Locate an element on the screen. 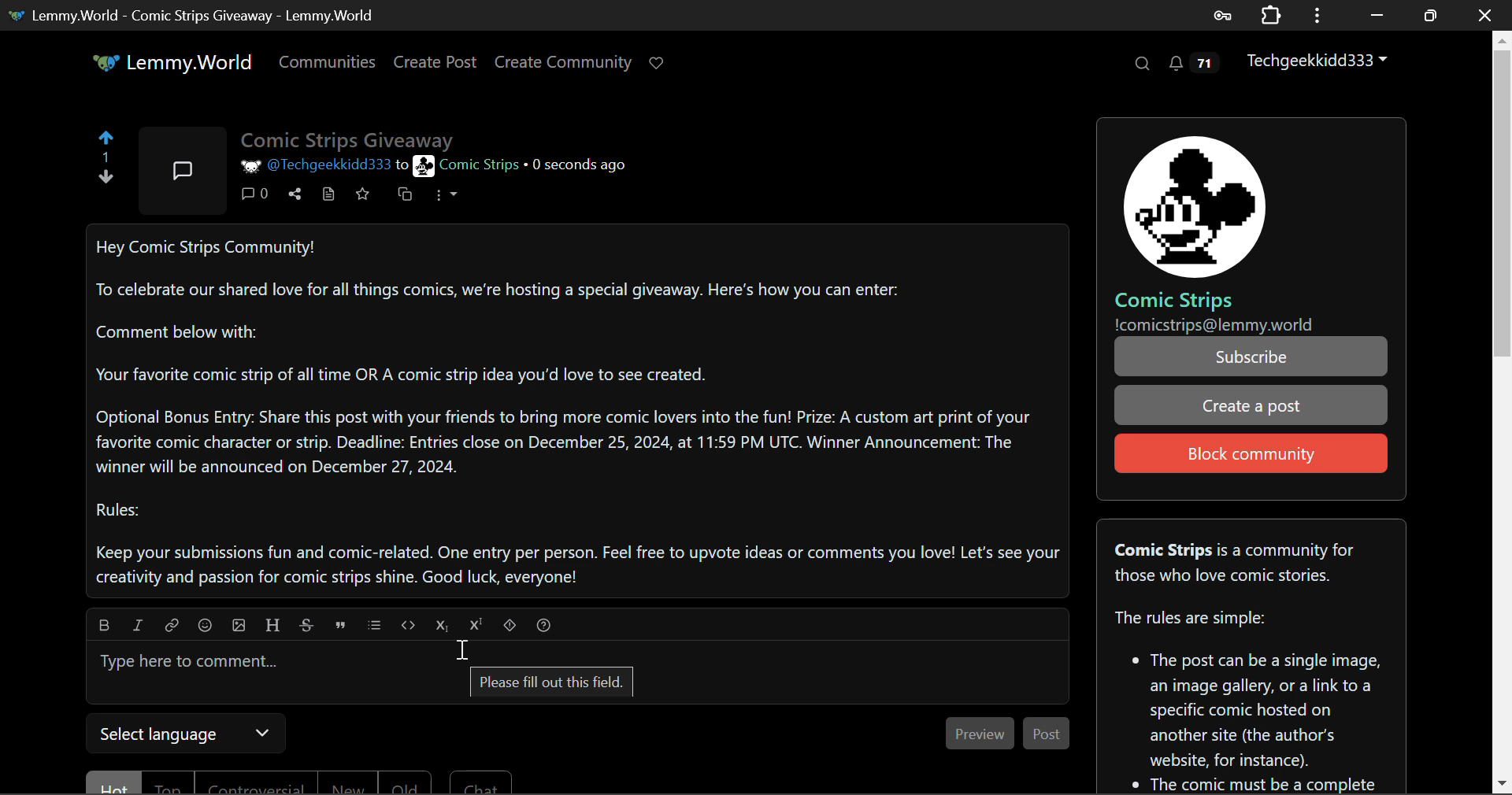  Options is located at coordinates (1315, 15).